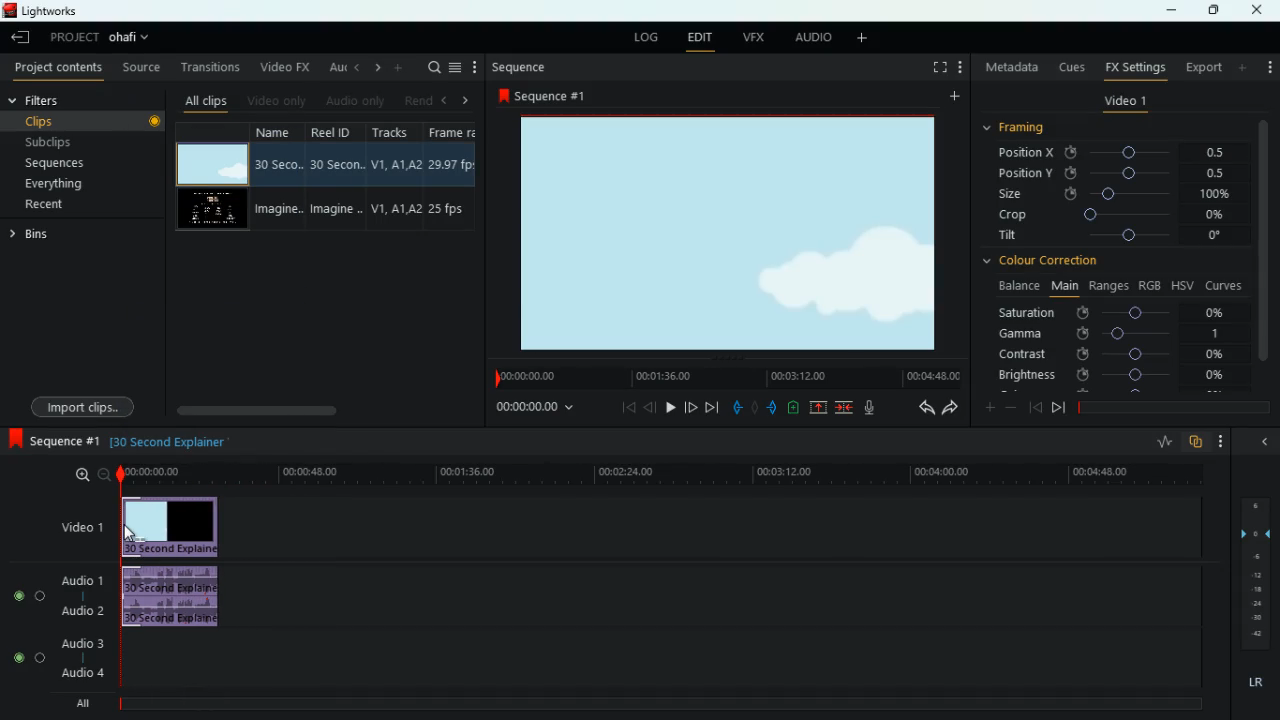  I want to click on merge, so click(847, 409).